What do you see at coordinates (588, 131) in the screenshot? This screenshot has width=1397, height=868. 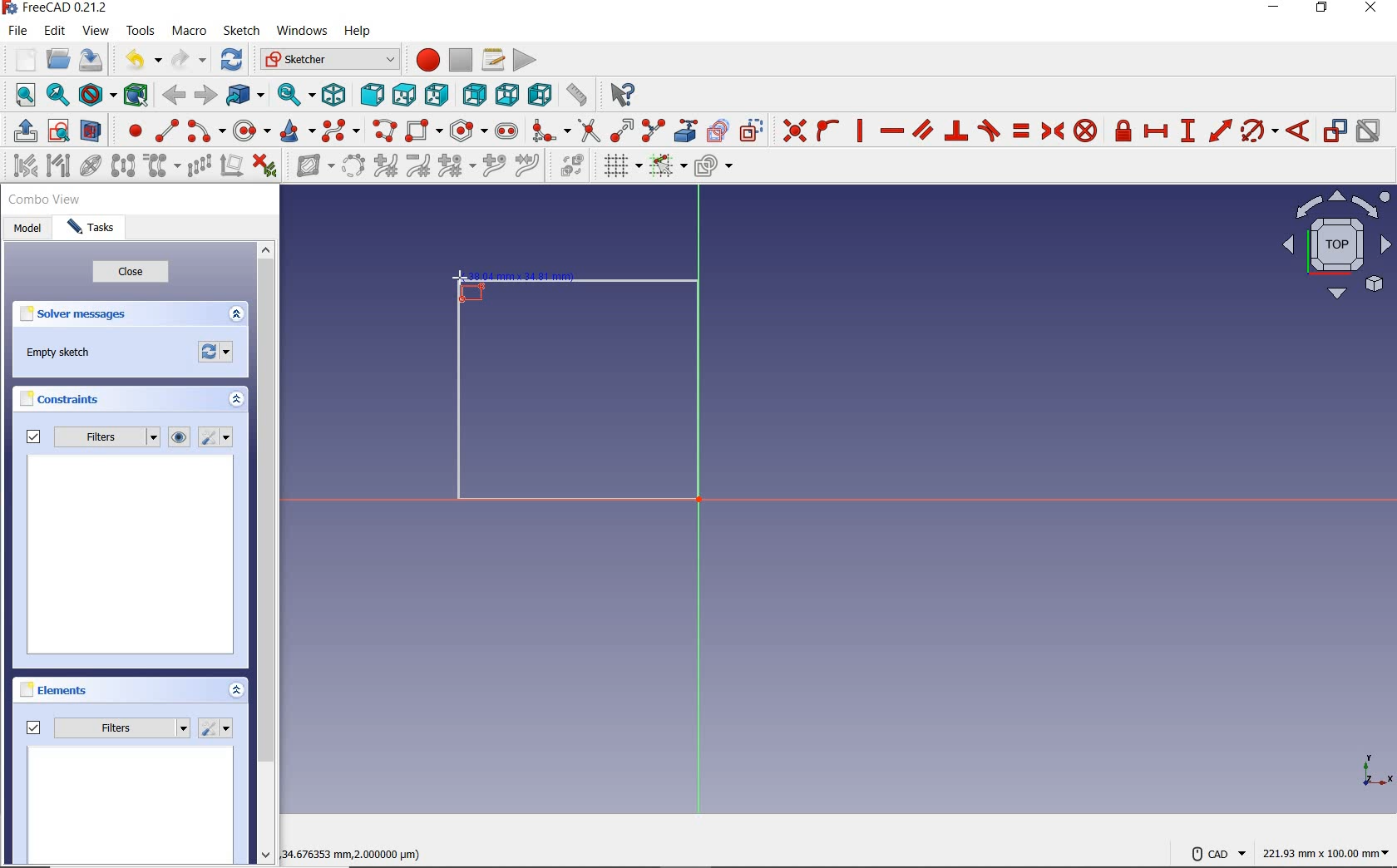 I see `trim edge` at bounding box center [588, 131].